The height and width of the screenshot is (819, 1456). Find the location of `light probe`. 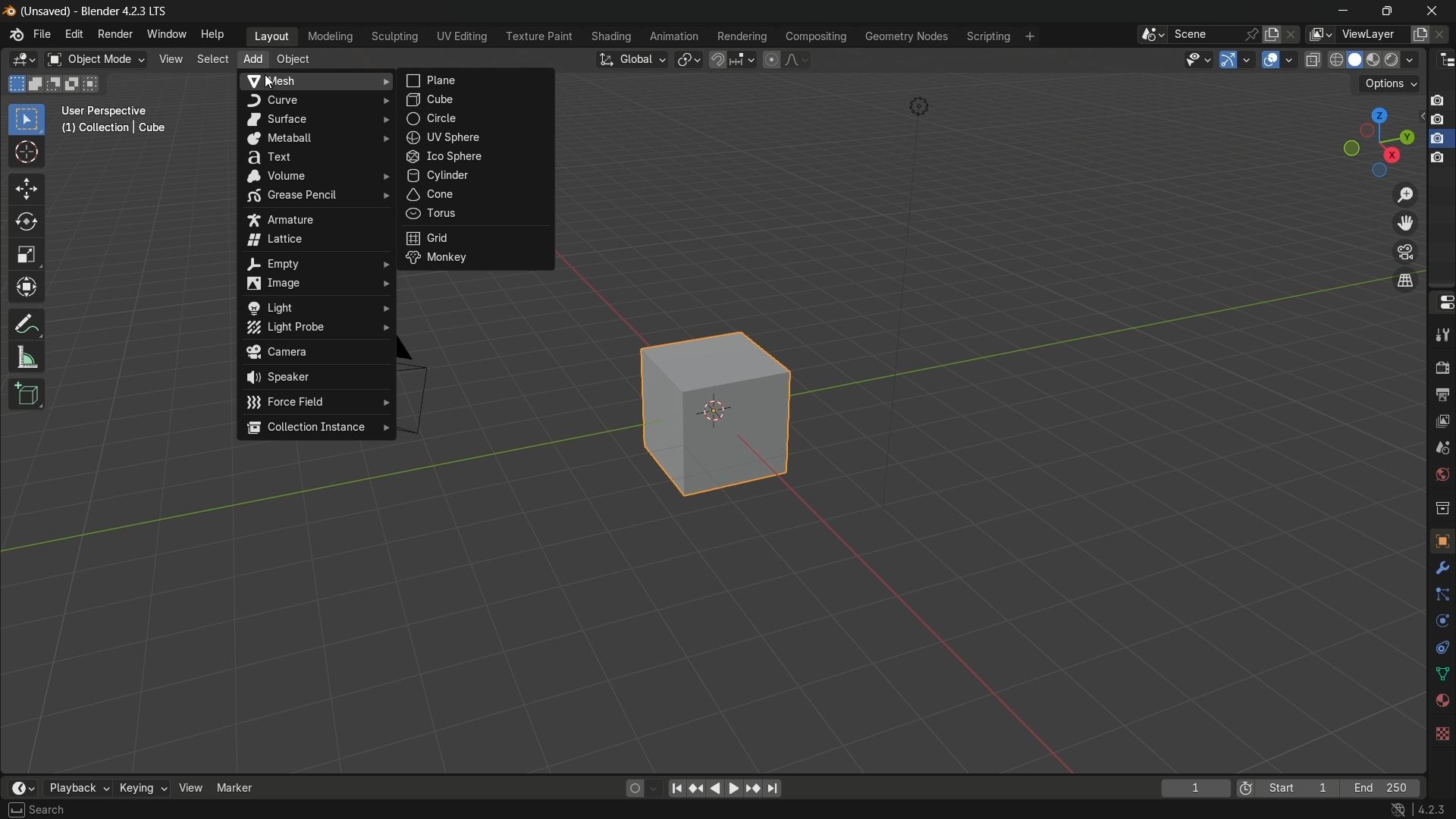

light probe is located at coordinates (313, 328).